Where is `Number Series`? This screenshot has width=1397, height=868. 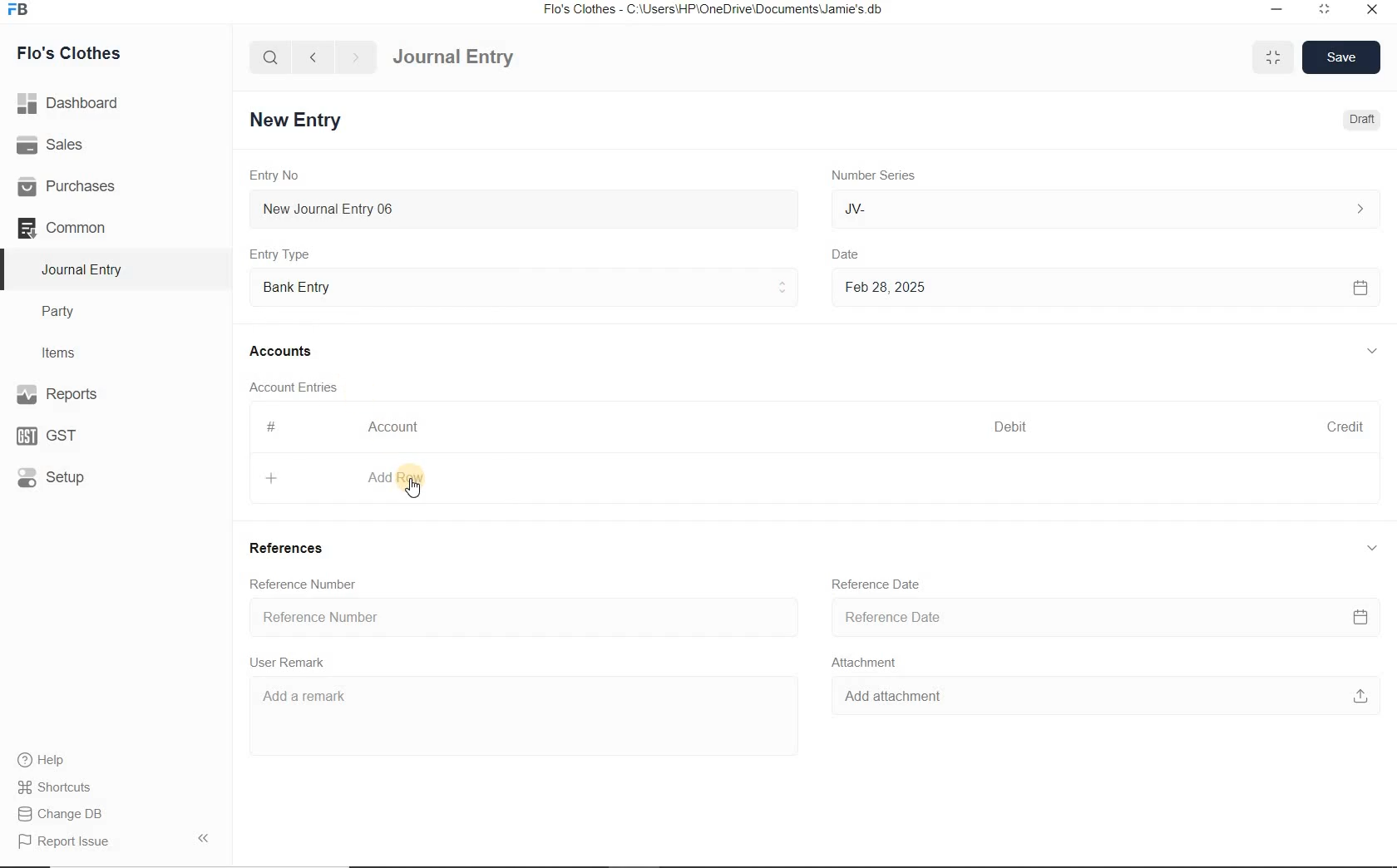 Number Series is located at coordinates (871, 175).